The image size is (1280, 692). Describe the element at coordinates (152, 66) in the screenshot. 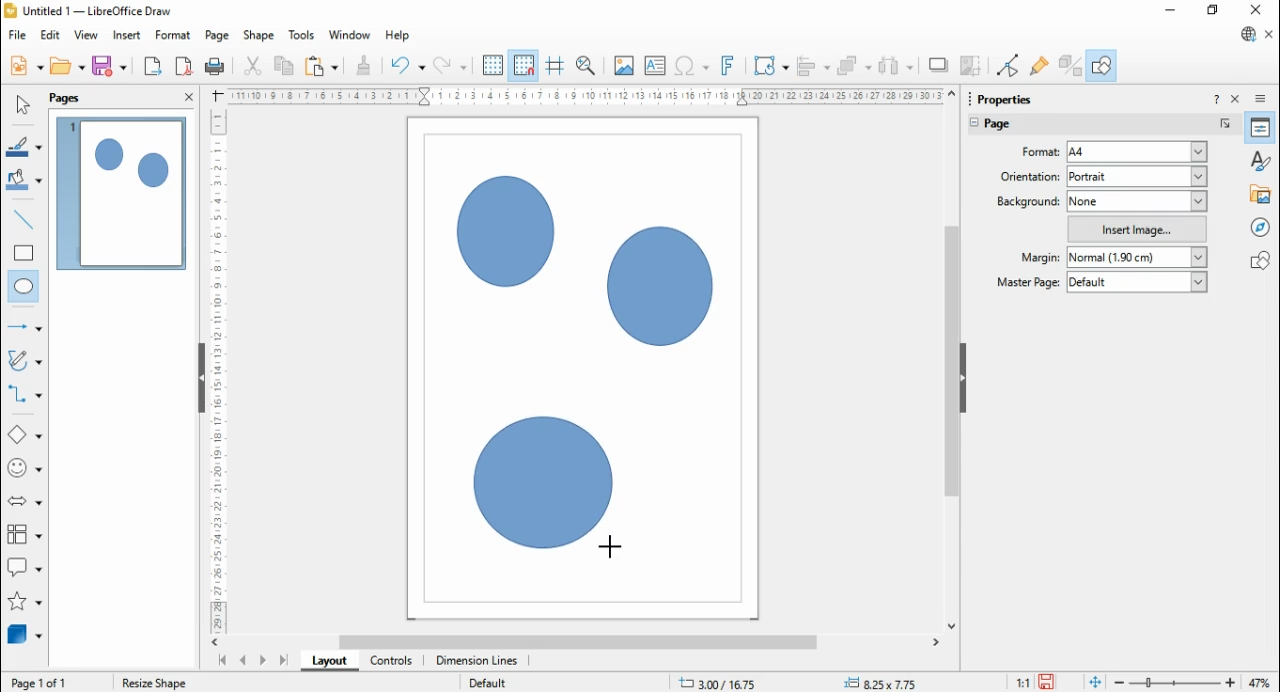

I see `export` at that location.